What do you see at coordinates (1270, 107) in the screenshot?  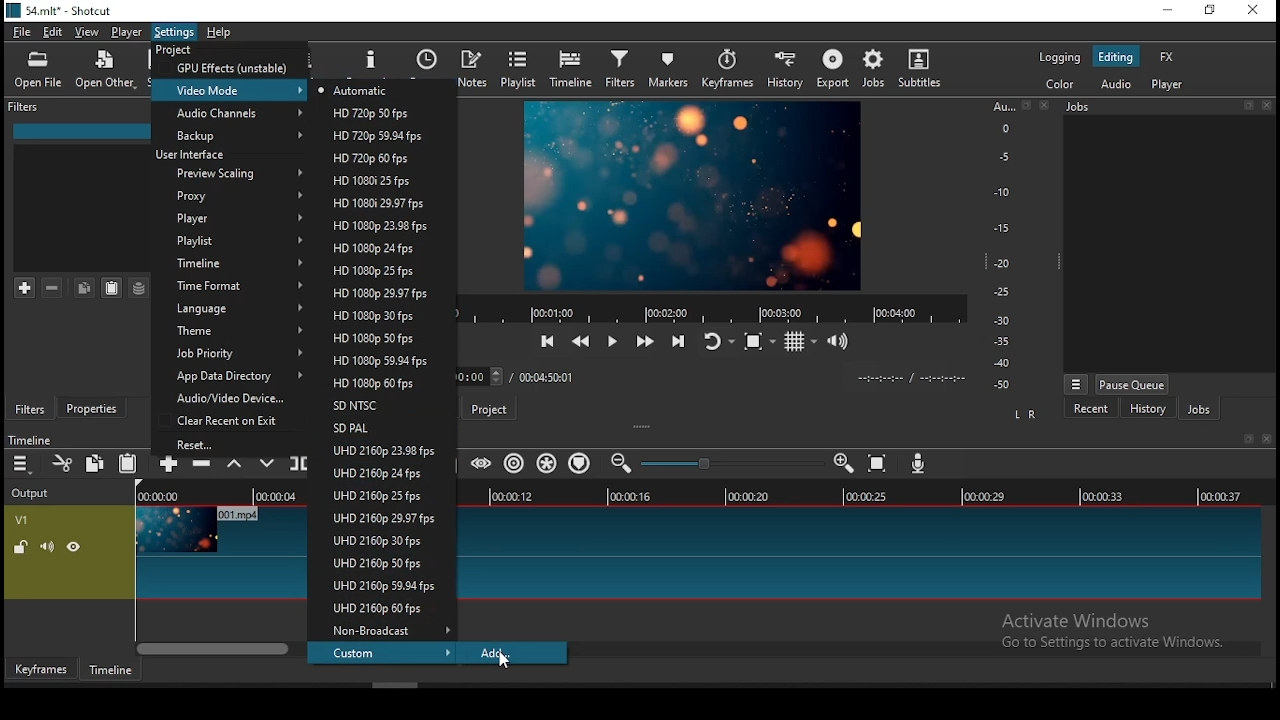 I see `close` at bounding box center [1270, 107].